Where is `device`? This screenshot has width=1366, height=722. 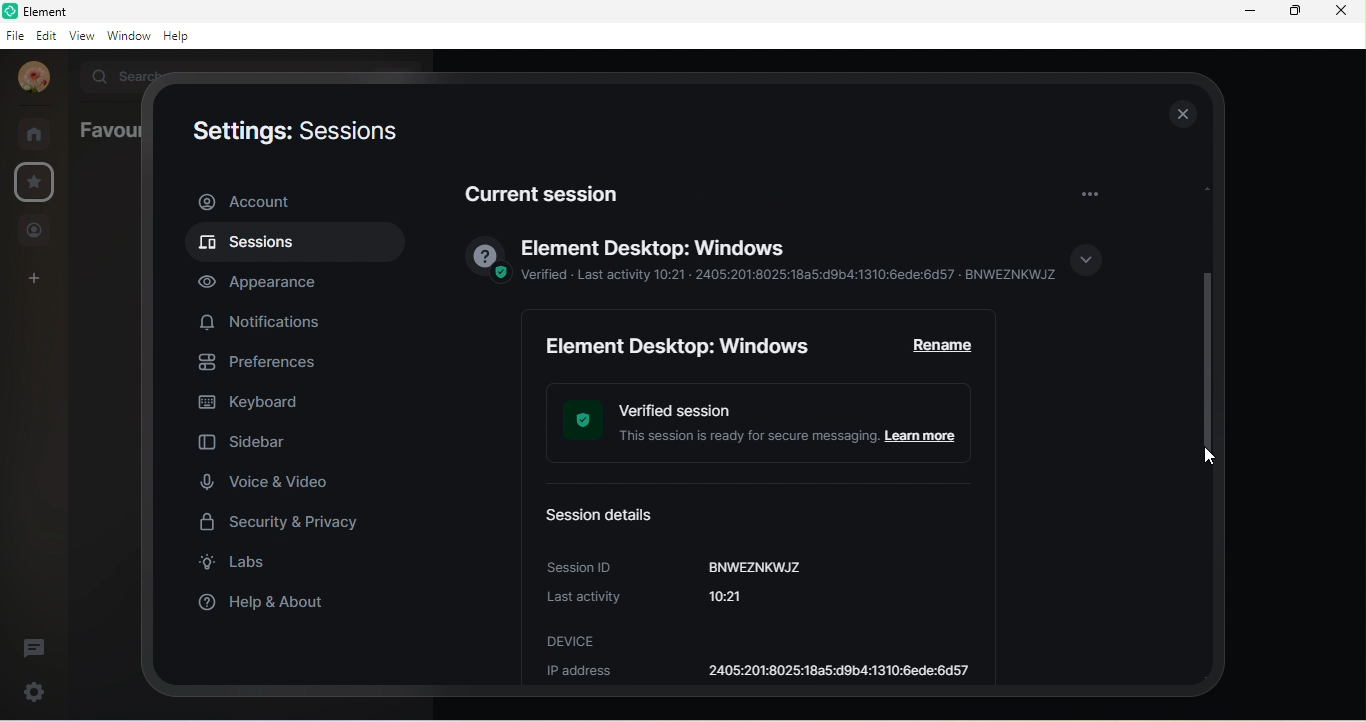 device is located at coordinates (574, 641).